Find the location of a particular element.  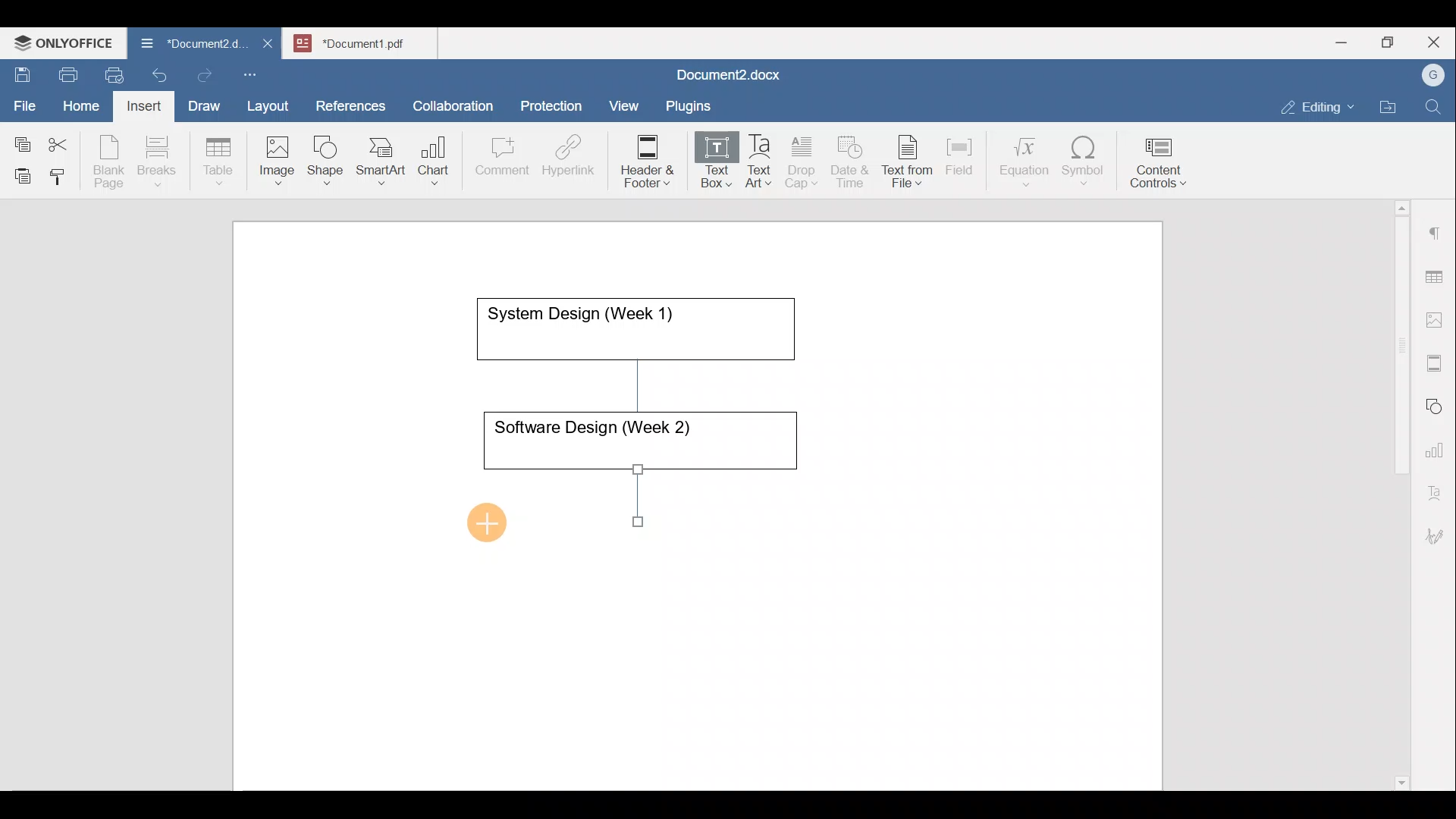

References is located at coordinates (350, 104).